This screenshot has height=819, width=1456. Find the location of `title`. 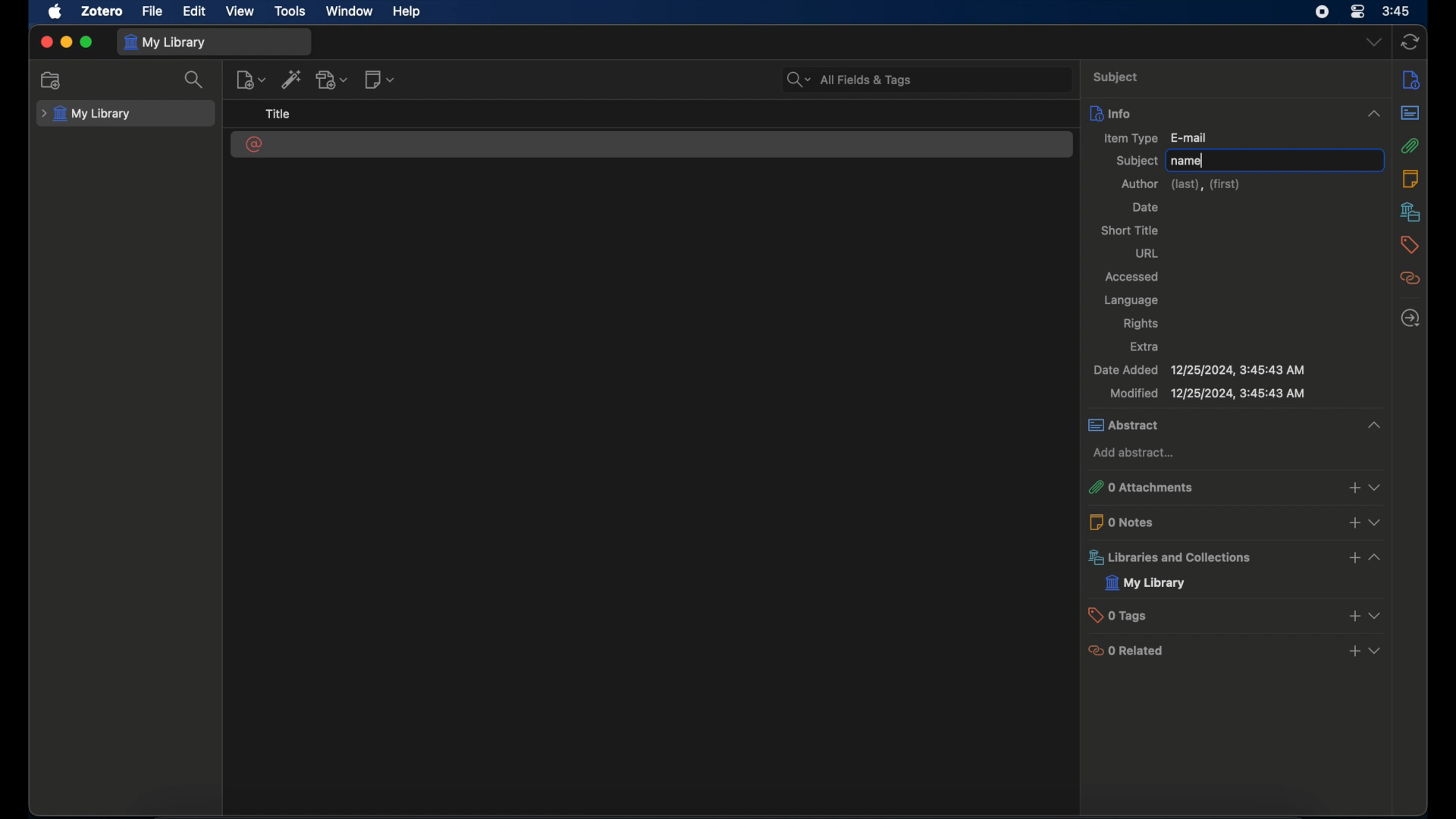

title is located at coordinates (278, 115).